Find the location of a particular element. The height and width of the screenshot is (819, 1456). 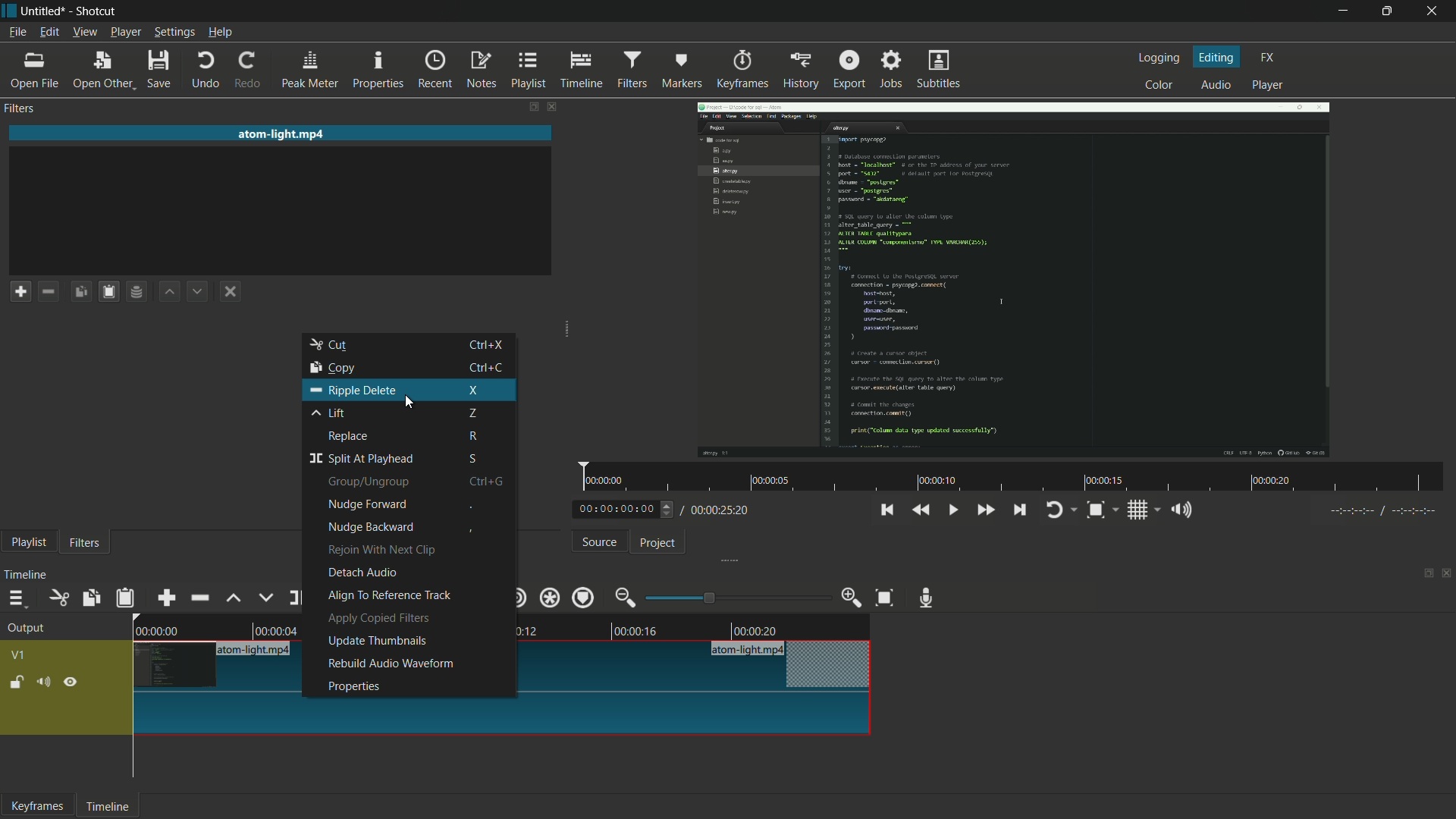

filters is located at coordinates (19, 109).